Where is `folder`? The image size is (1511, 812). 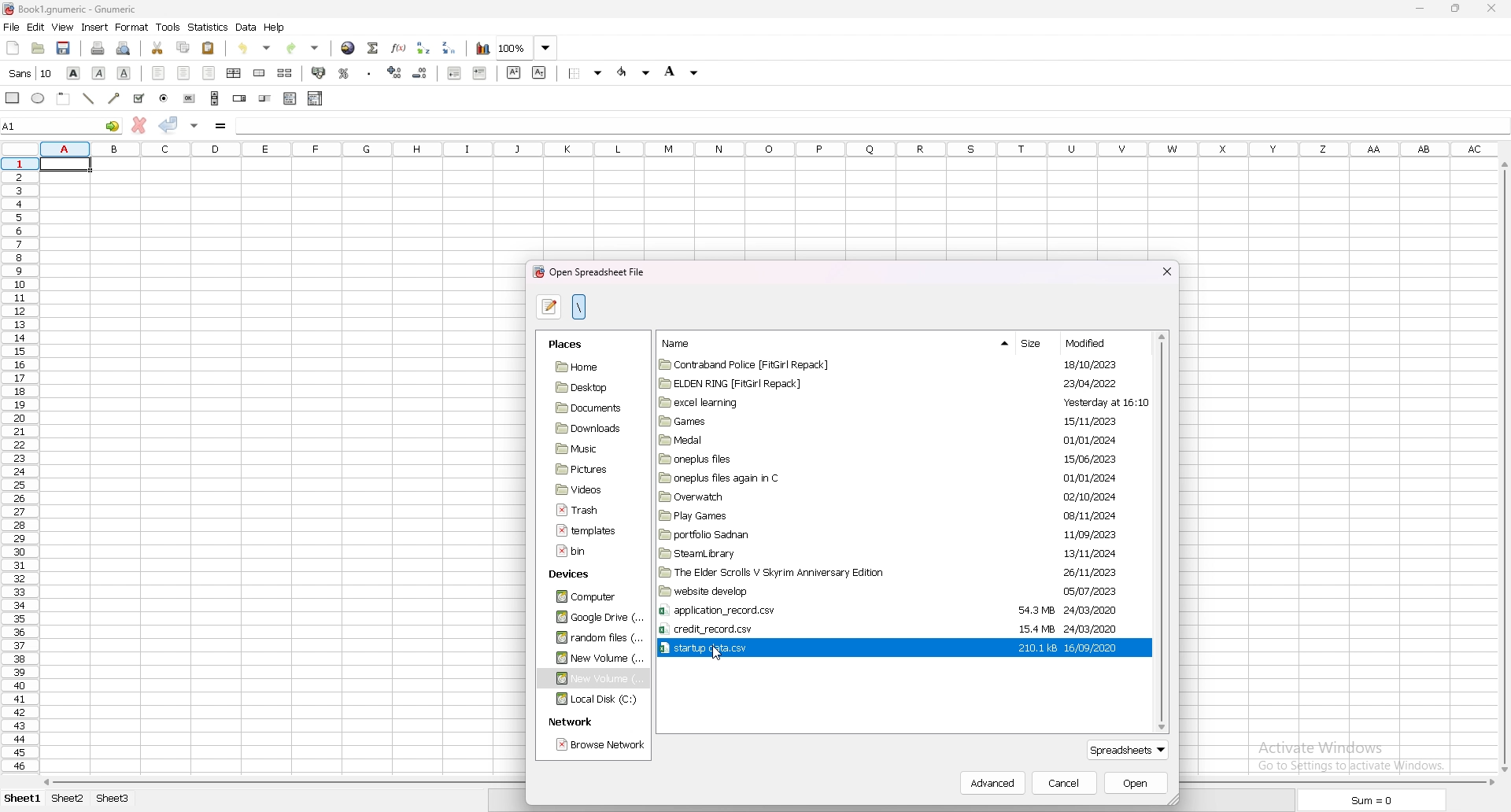
folder is located at coordinates (593, 658).